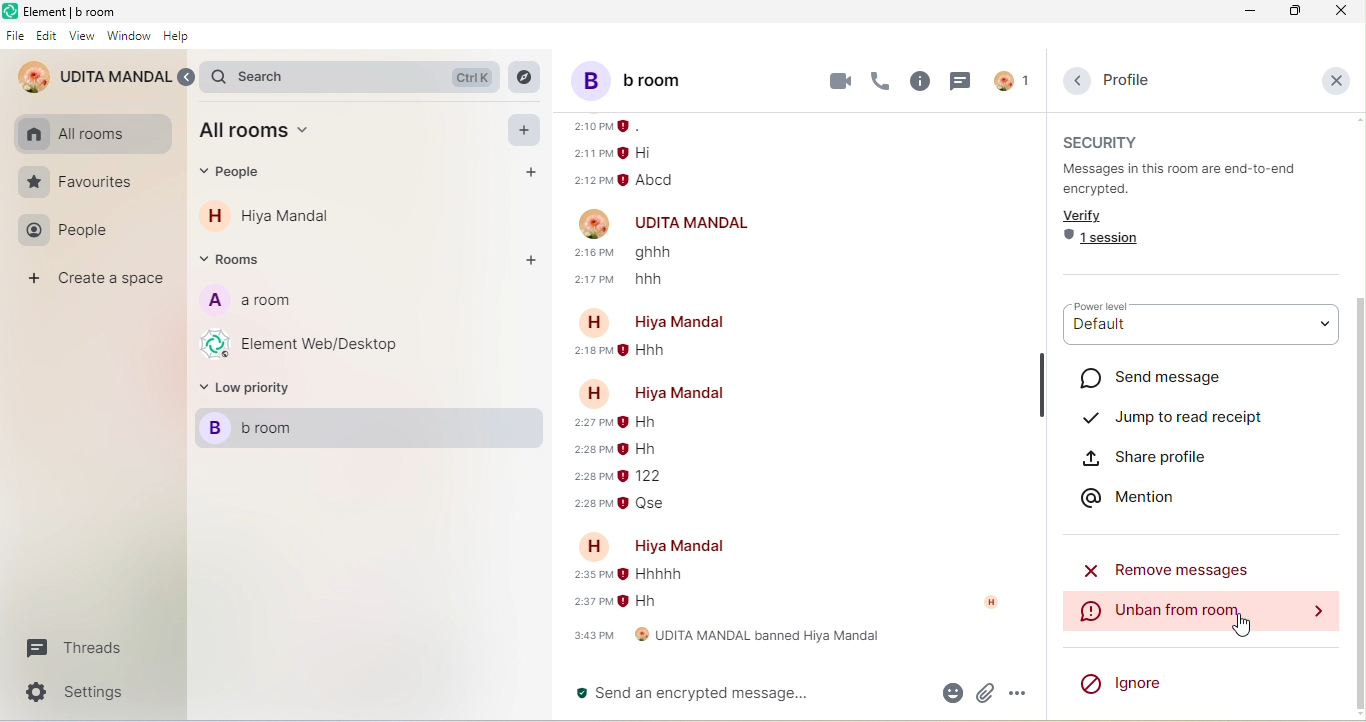 This screenshot has height=722, width=1366. I want to click on udita mandal, so click(94, 78).